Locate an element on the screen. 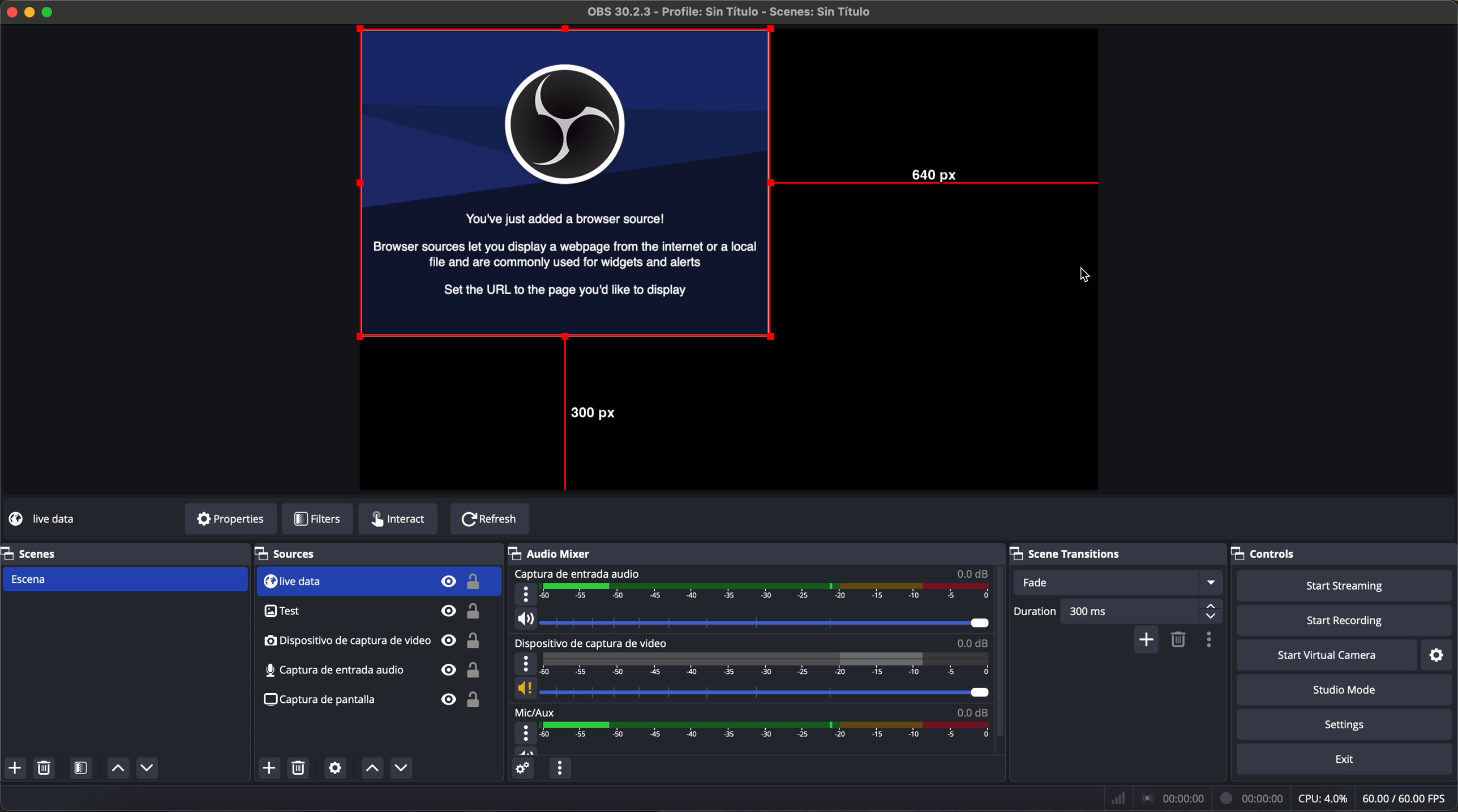 The width and height of the screenshot is (1458, 812). controls is located at coordinates (1268, 552).